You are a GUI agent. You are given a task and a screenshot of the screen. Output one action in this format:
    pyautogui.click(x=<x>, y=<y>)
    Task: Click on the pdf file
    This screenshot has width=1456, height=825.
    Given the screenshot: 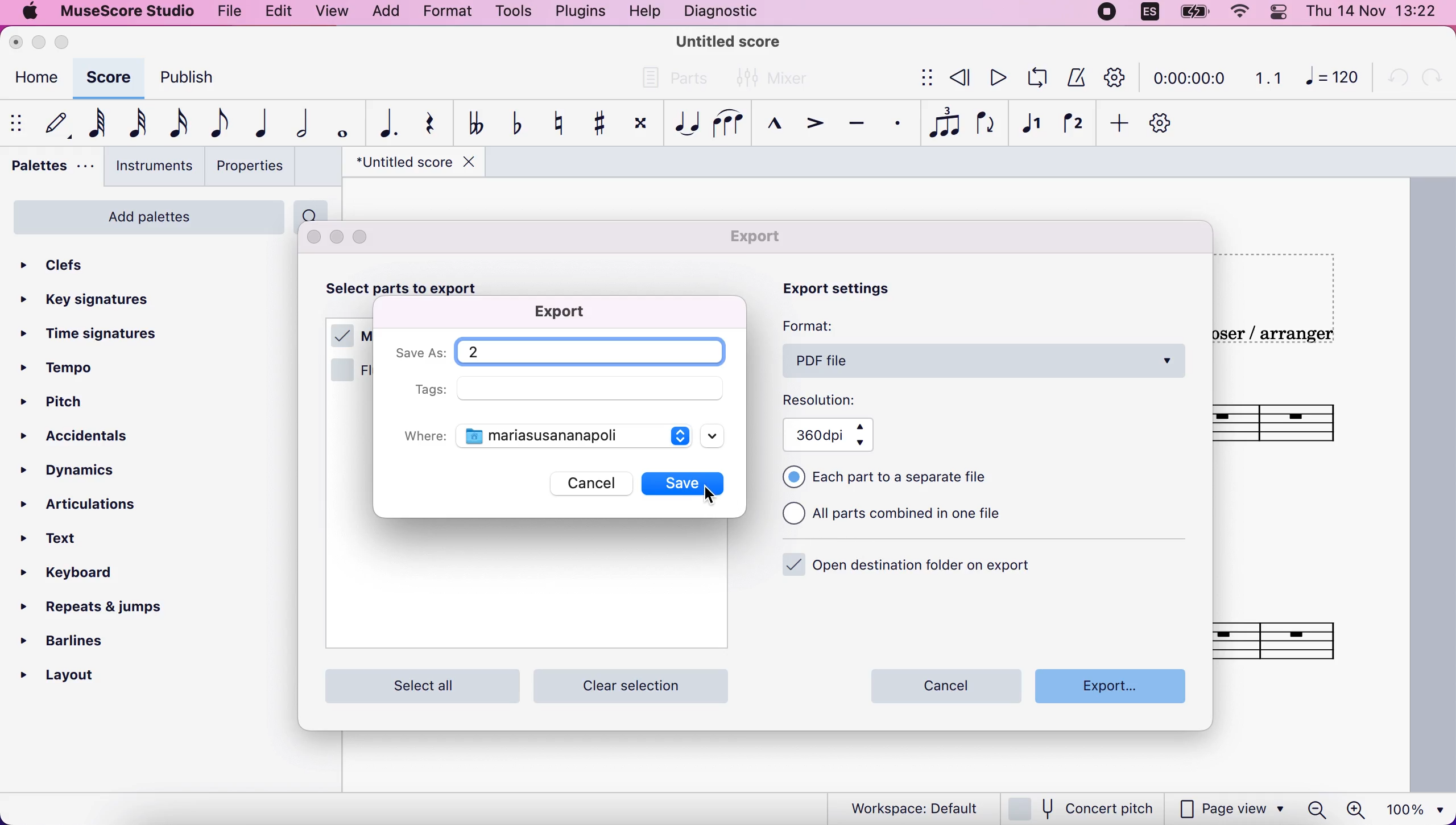 What is the action you would take?
    pyautogui.click(x=986, y=361)
    